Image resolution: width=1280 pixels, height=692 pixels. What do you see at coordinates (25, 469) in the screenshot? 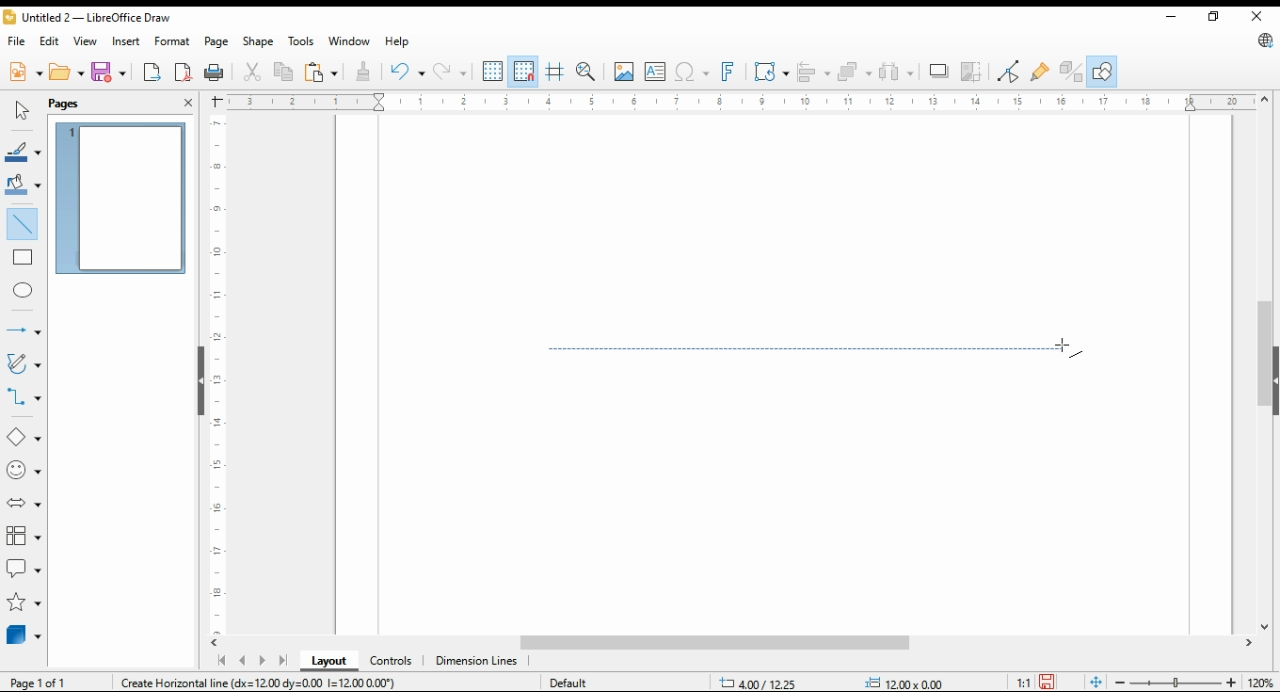
I see `symbol shapes` at bounding box center [25, 469].